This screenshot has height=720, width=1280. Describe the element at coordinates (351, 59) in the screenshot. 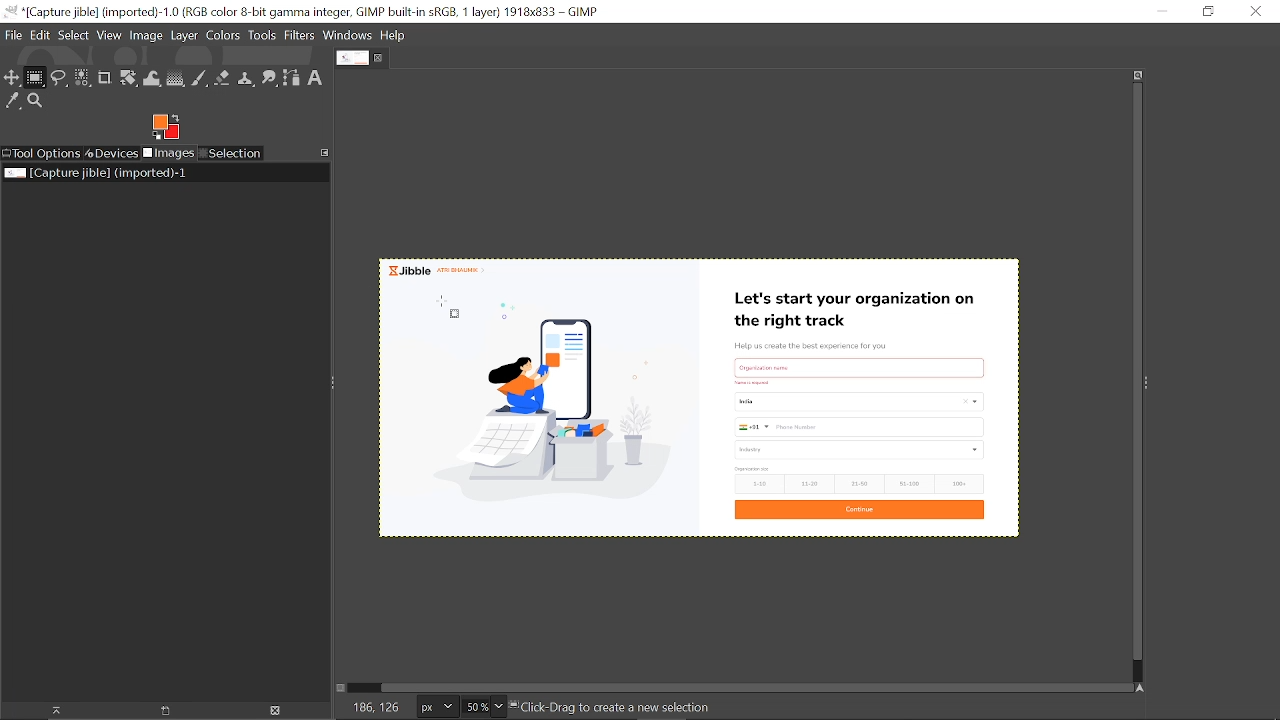

I see `Current tab` at that location.